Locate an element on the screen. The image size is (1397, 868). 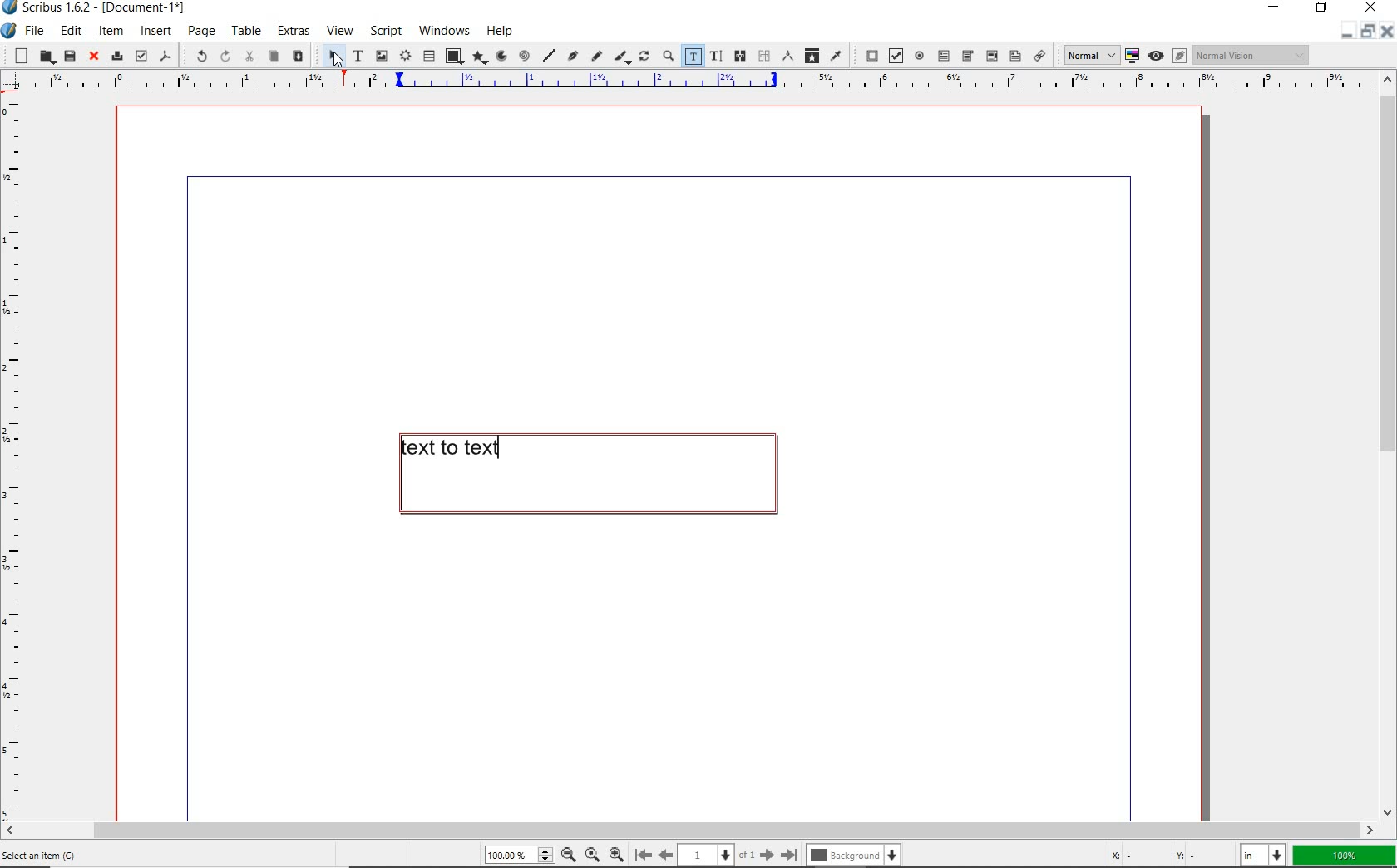
eye dropper is located at coordinates (837, 55).